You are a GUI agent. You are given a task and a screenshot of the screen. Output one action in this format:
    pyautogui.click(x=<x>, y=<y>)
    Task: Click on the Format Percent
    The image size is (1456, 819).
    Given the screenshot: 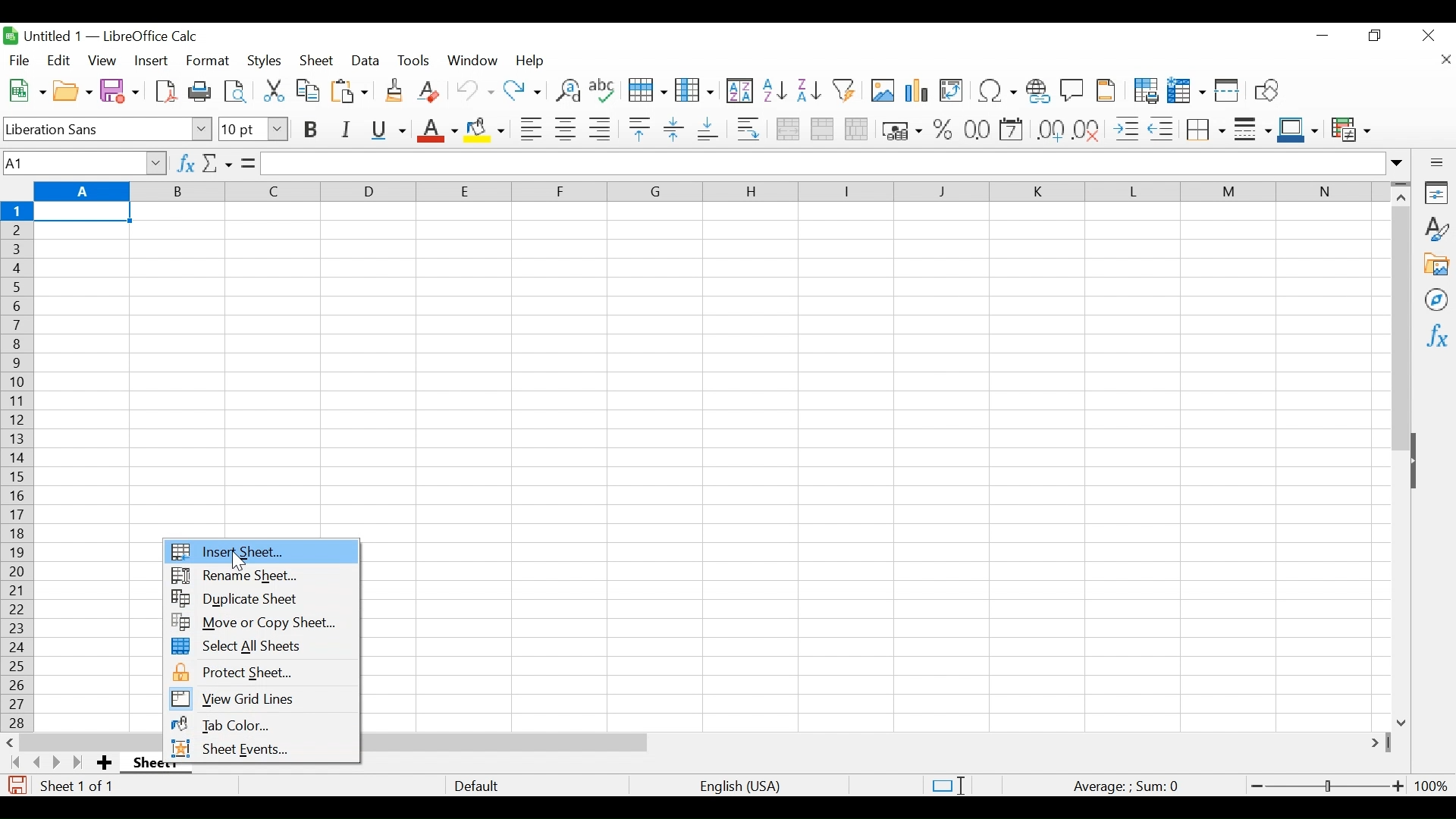 What is the action you would take?
    pyautogui.click(x=943, y=130)
    